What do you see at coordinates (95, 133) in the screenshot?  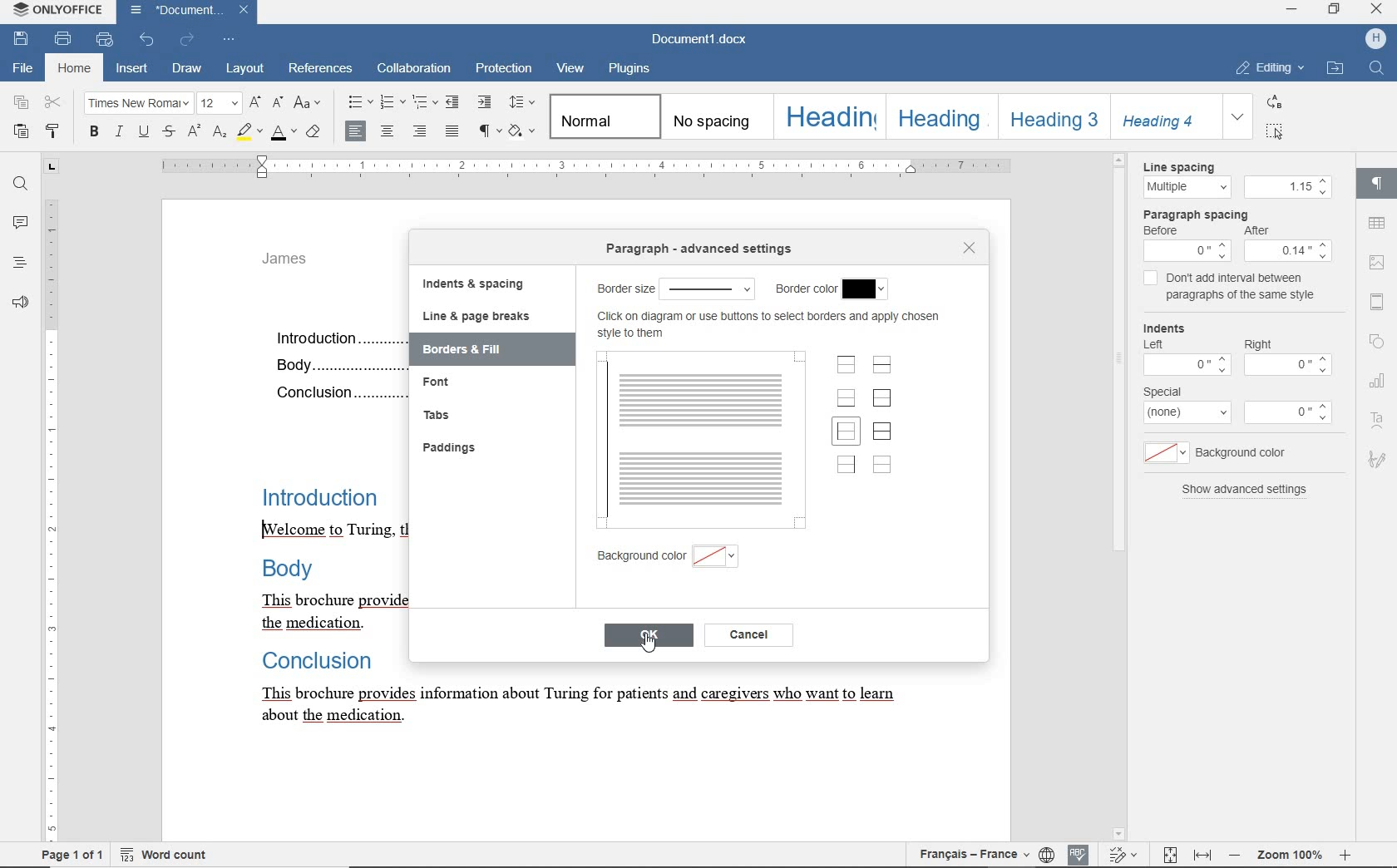 I see `bold` at bounding box center [95, 133].